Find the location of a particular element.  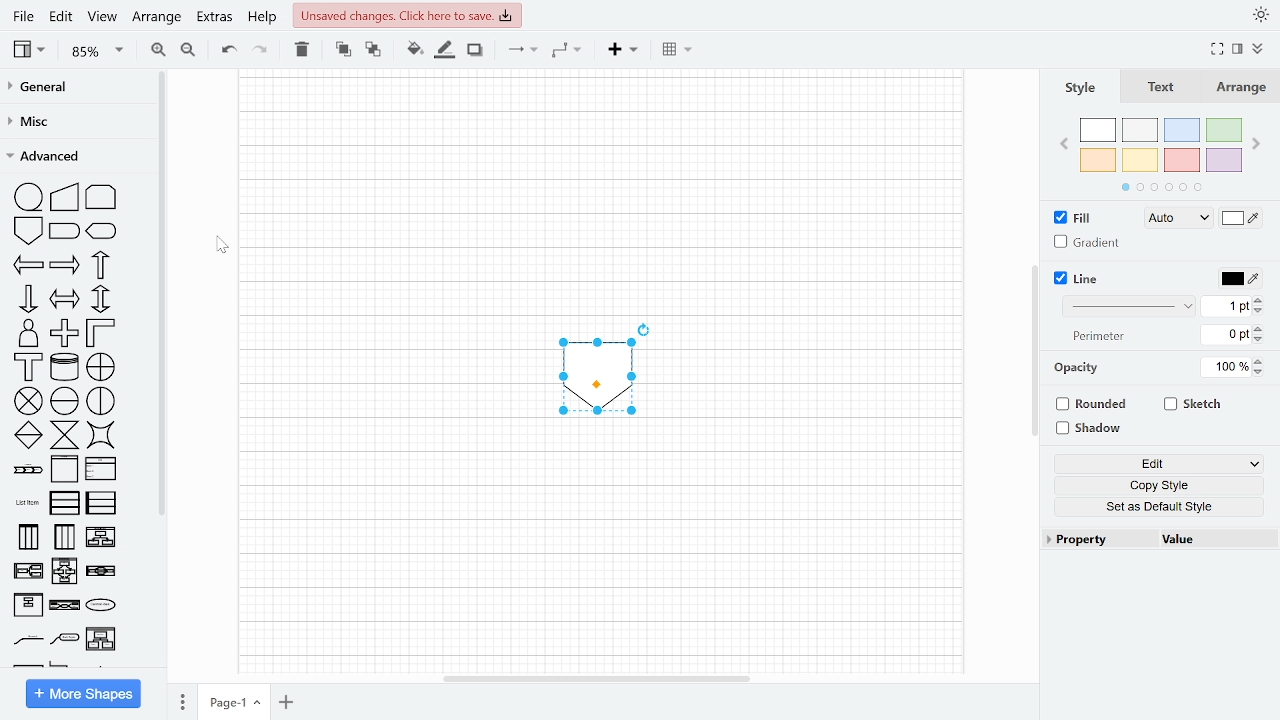

mind map is located at coordinates (29, 606).